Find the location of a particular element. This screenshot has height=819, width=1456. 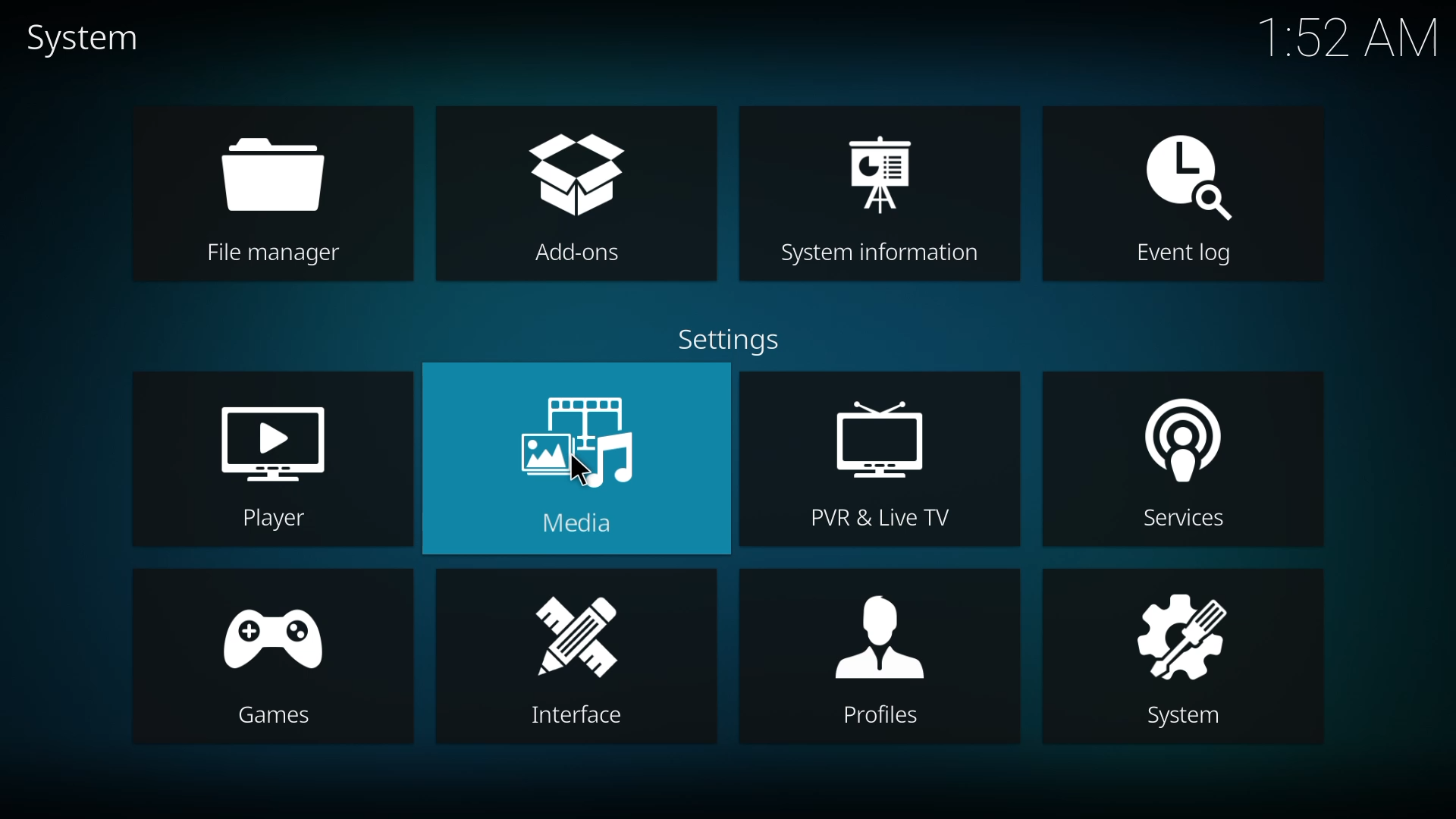

time is located at coordinates (1353, 35).